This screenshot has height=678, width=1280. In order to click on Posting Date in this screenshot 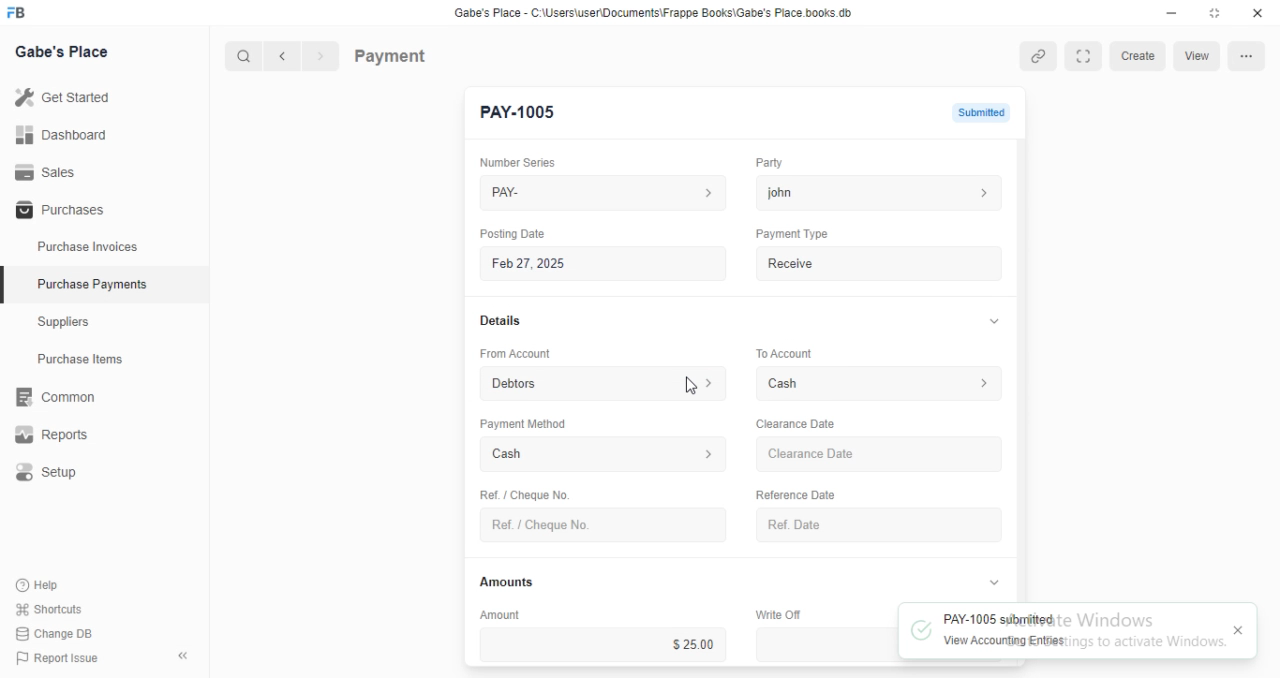, I will do `click(514, 233)`.